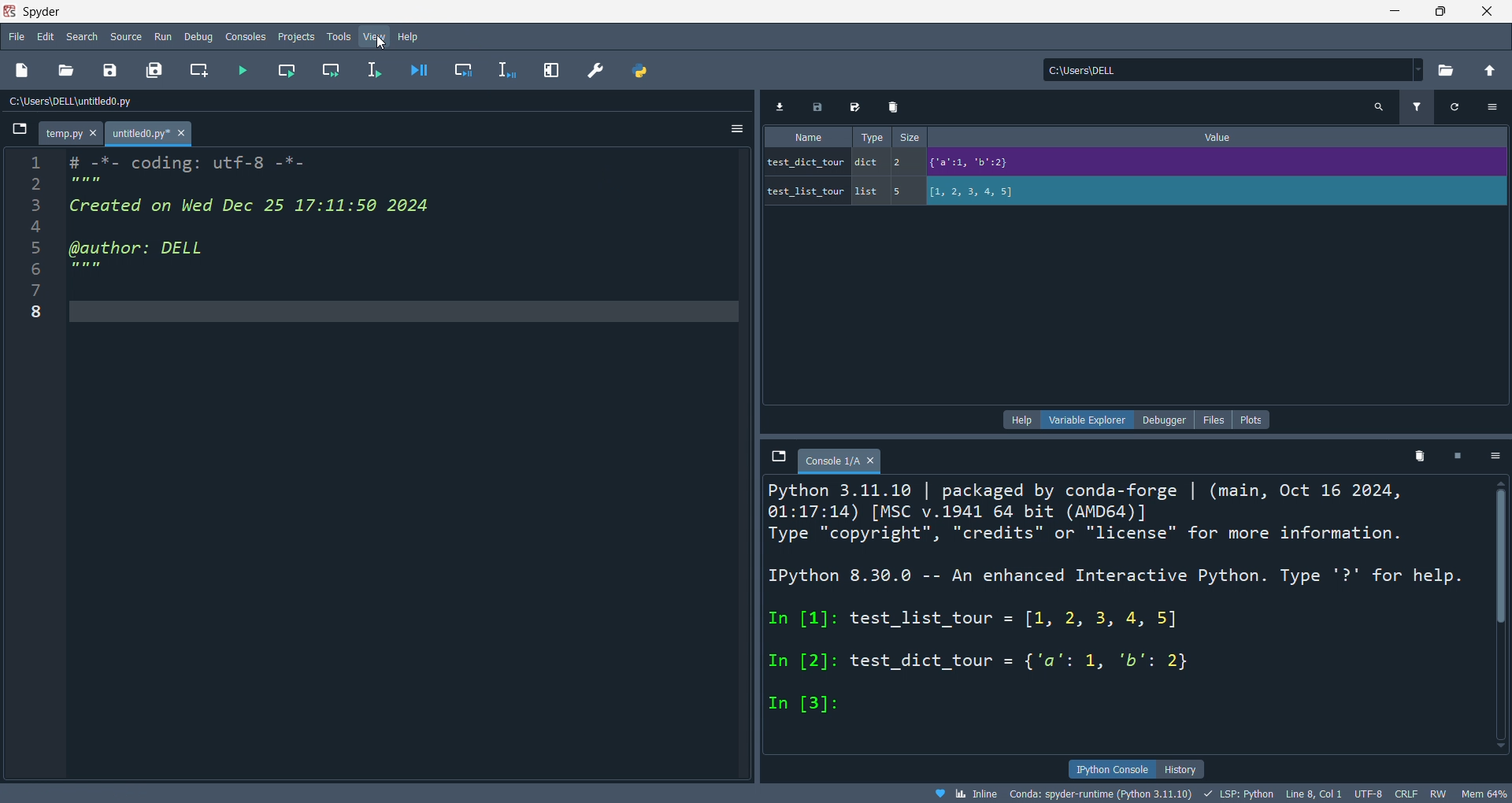  What do you see at coordinates (65, 71) in the screenshot?
I see `open file` at bounding box center [65, 71].